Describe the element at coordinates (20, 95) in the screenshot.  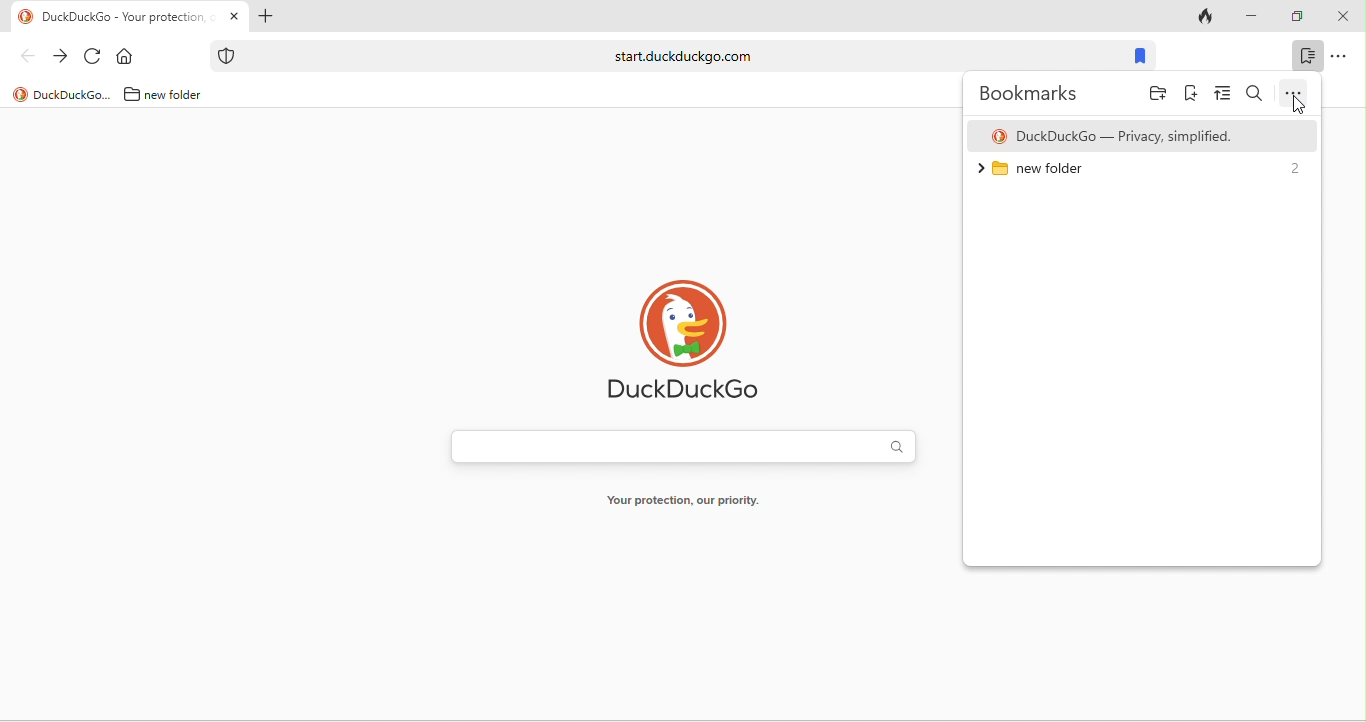
I see `icon` at that location.